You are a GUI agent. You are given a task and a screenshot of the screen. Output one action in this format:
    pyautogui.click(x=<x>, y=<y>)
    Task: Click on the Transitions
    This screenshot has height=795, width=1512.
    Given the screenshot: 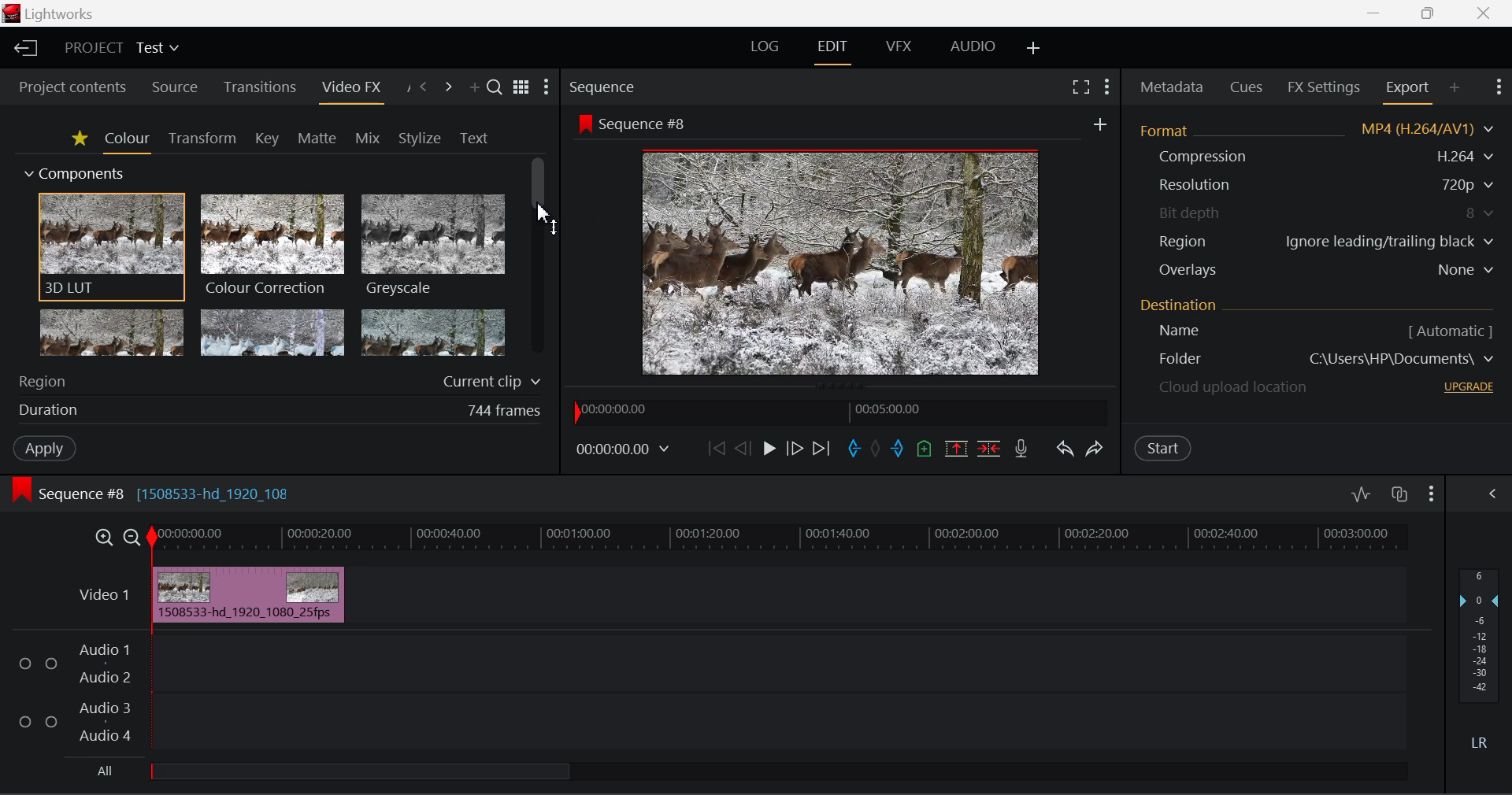 What is the action you would take?
    pyautogui.click(x=258, y=87)
    